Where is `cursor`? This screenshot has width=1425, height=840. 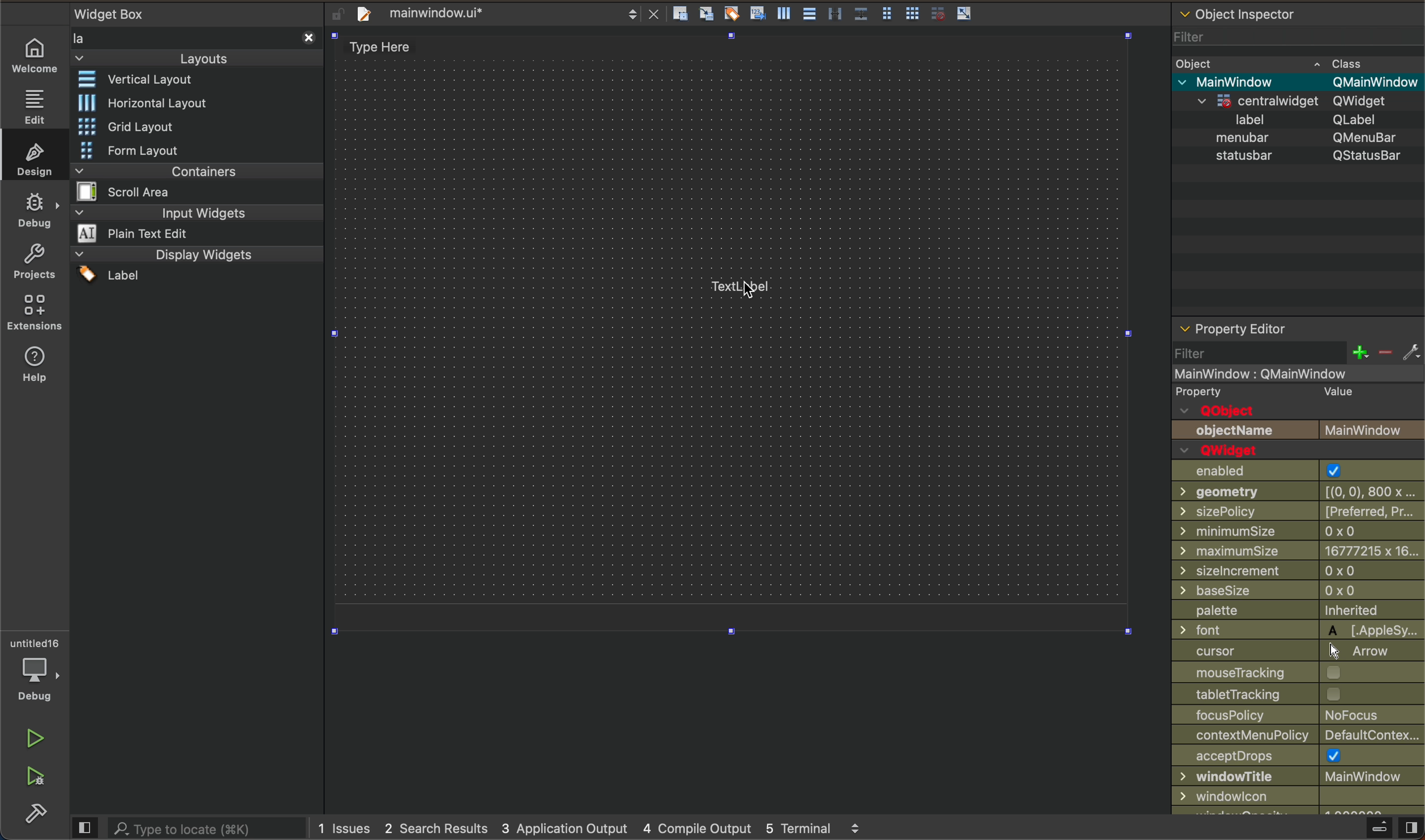 cursor is located at coordinates (742, 284).